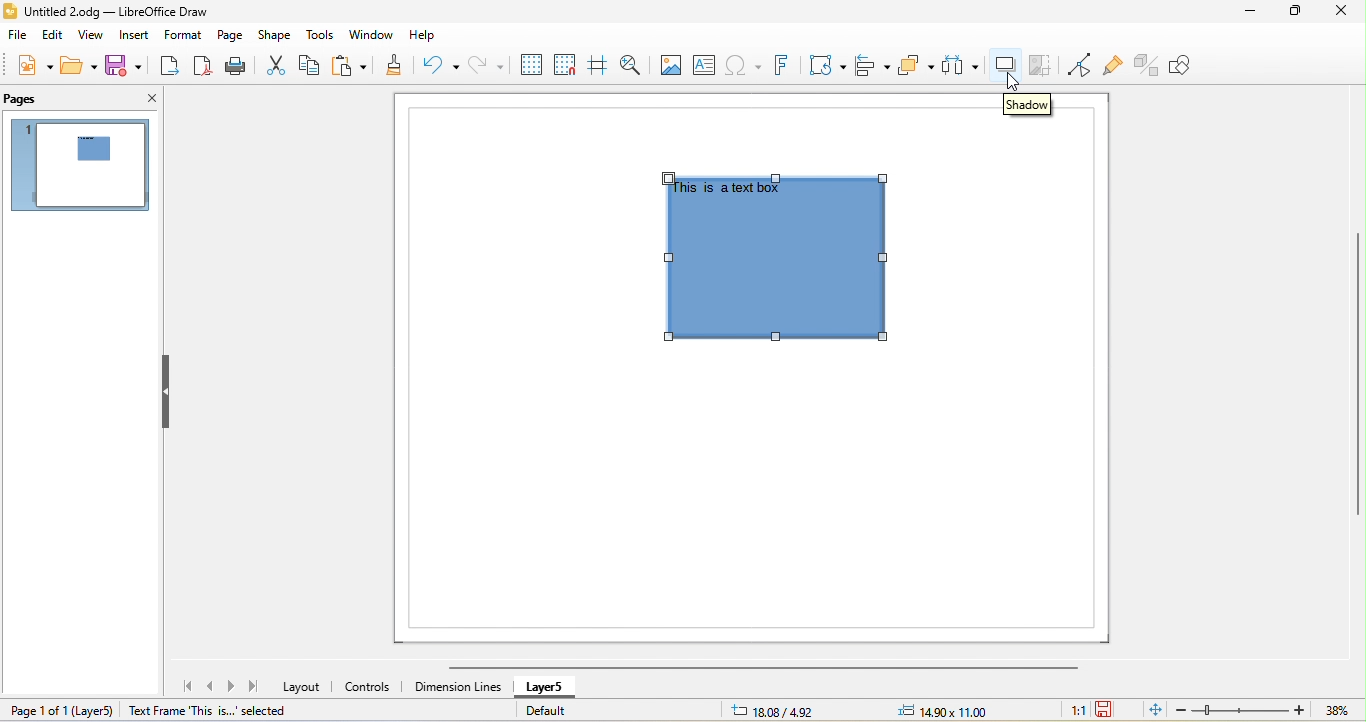 This screenshot has width=1366, height=722. Describe the element at coordinates (275, 35) in the screenshot. I see `shape` at that location.